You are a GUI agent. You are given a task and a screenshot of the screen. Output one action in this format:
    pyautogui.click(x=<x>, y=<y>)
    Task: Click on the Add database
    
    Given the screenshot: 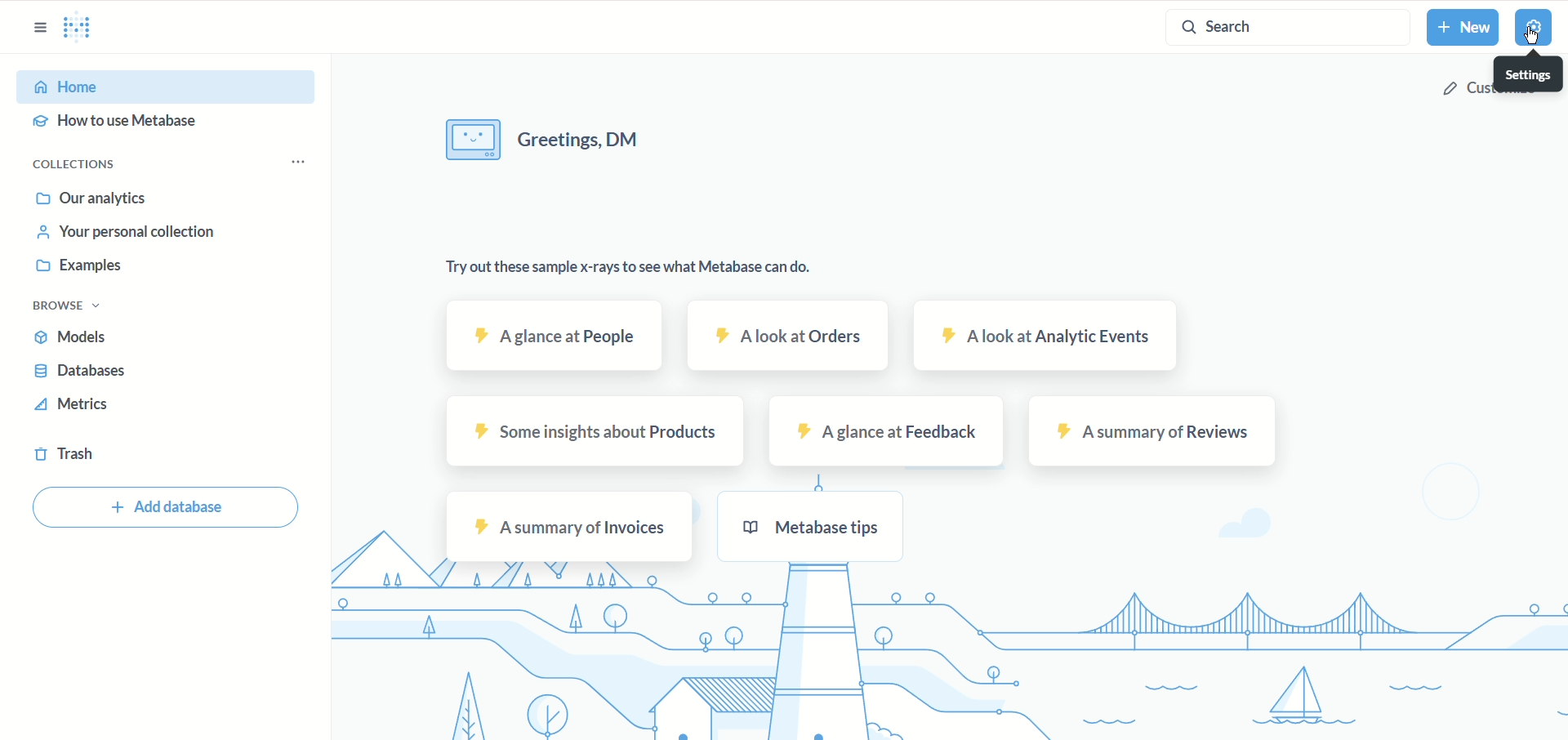 What is the action you would take?
    pyautogui.click(x=171, y=507)
    